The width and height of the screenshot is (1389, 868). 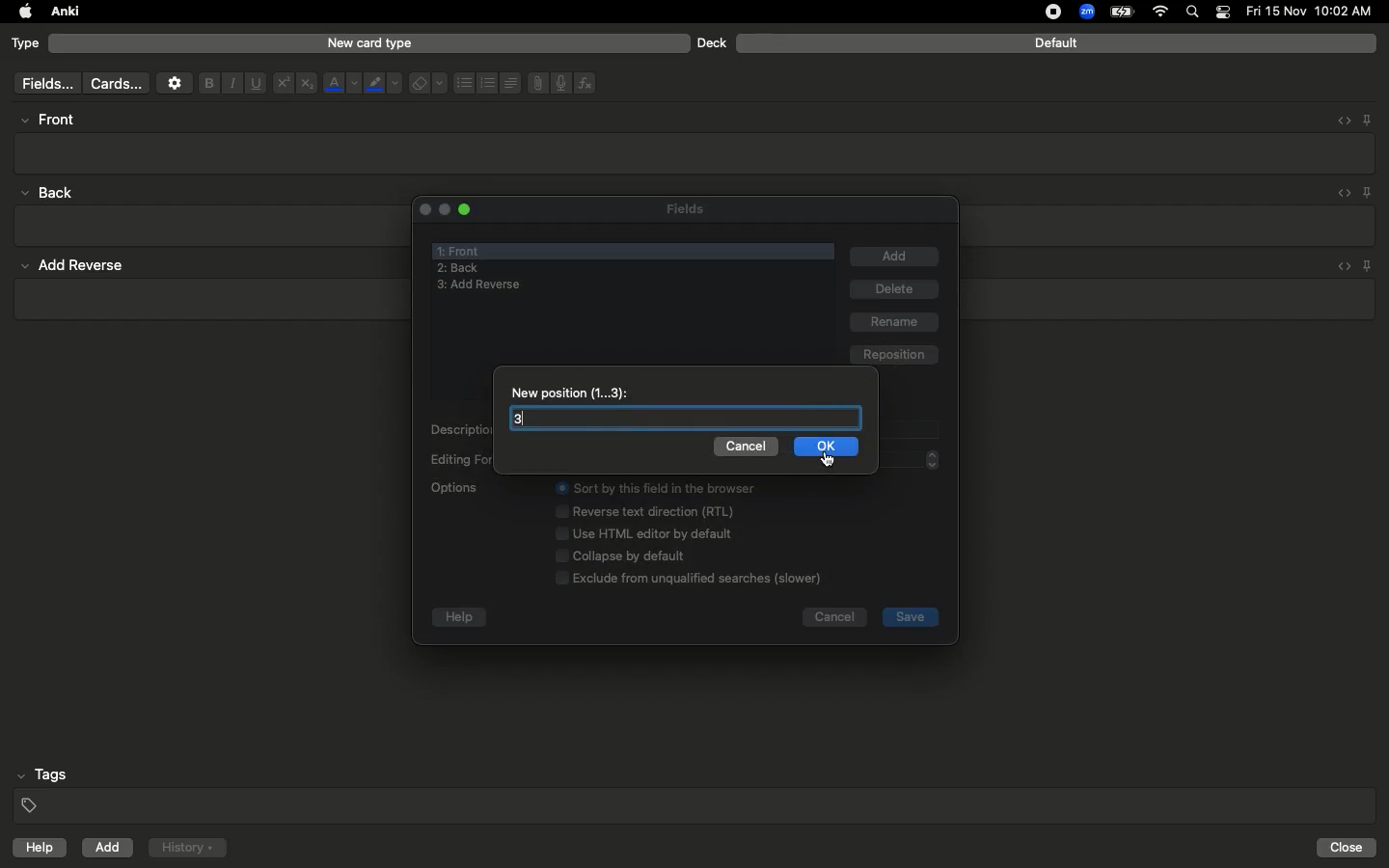 What do you see at coordinates (458, 269) in the screenshot?
I see `Back` at bounding box center [458, 269].